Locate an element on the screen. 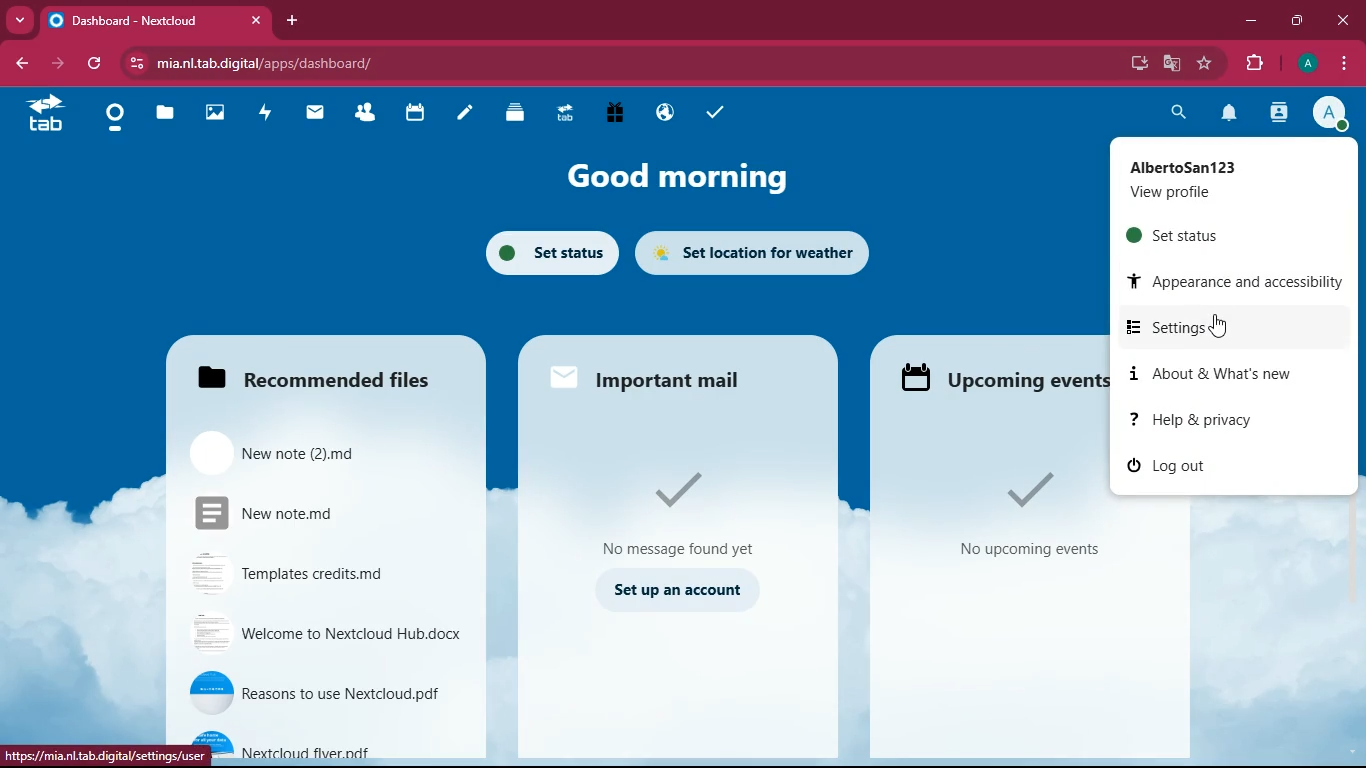  notes is located at coordinates (464, 116).